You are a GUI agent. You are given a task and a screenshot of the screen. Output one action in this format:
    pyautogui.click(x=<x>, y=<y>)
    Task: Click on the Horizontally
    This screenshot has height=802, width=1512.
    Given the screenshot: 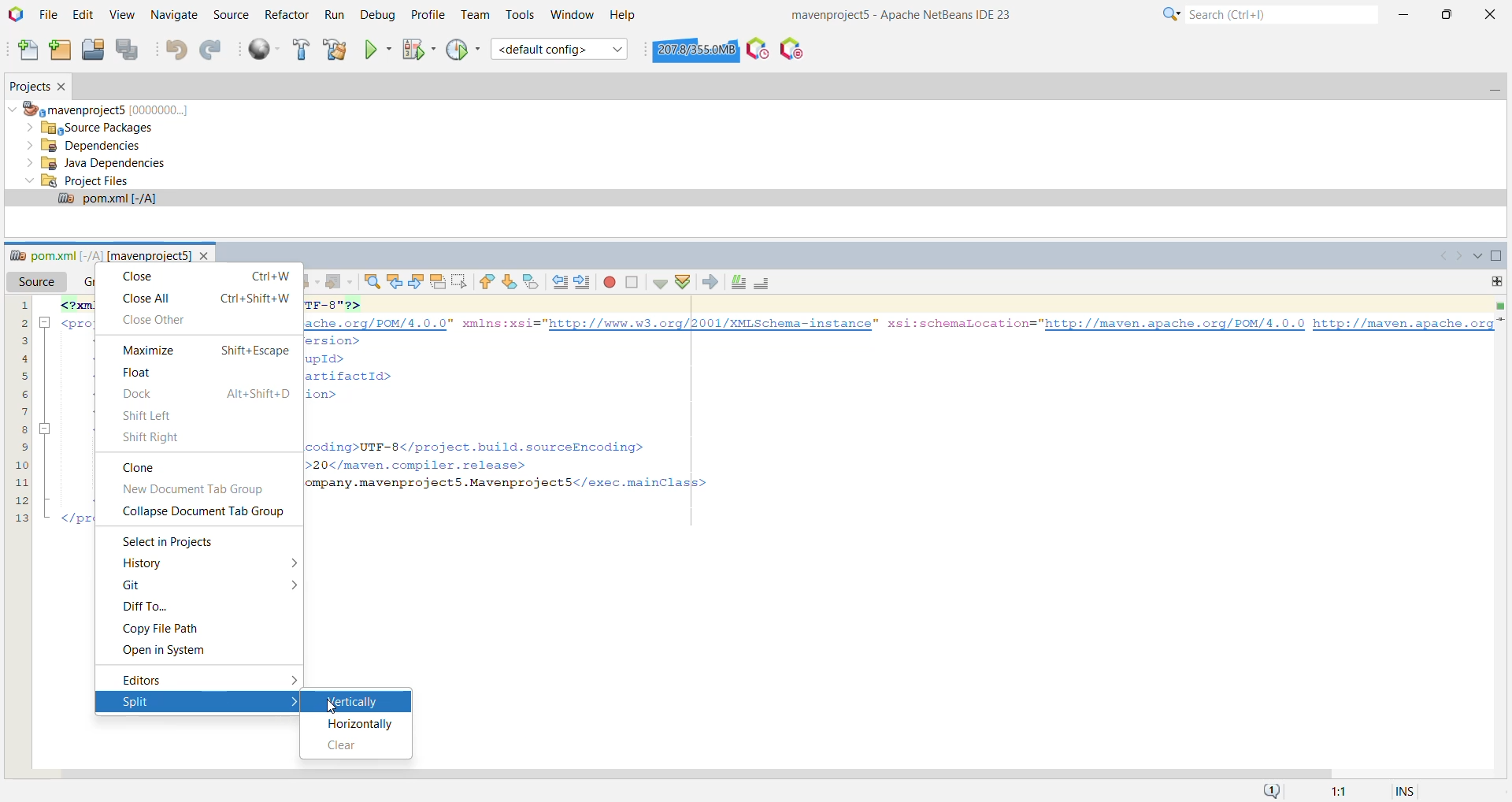 What is the action you would take?
    pyautogui.click(x=362, y=725)
    